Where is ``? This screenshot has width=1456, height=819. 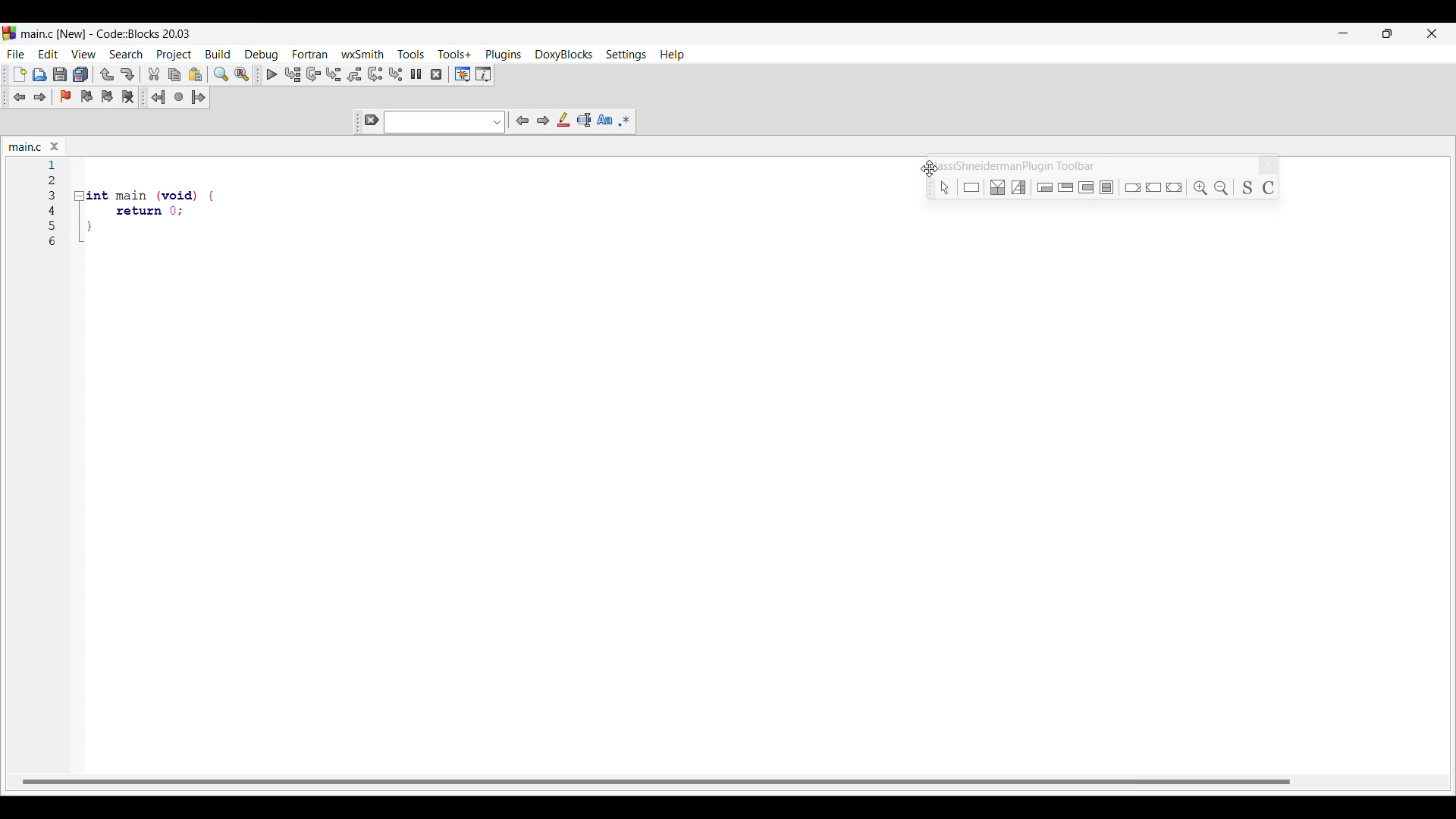
 is located at coordinates (1046, 187).